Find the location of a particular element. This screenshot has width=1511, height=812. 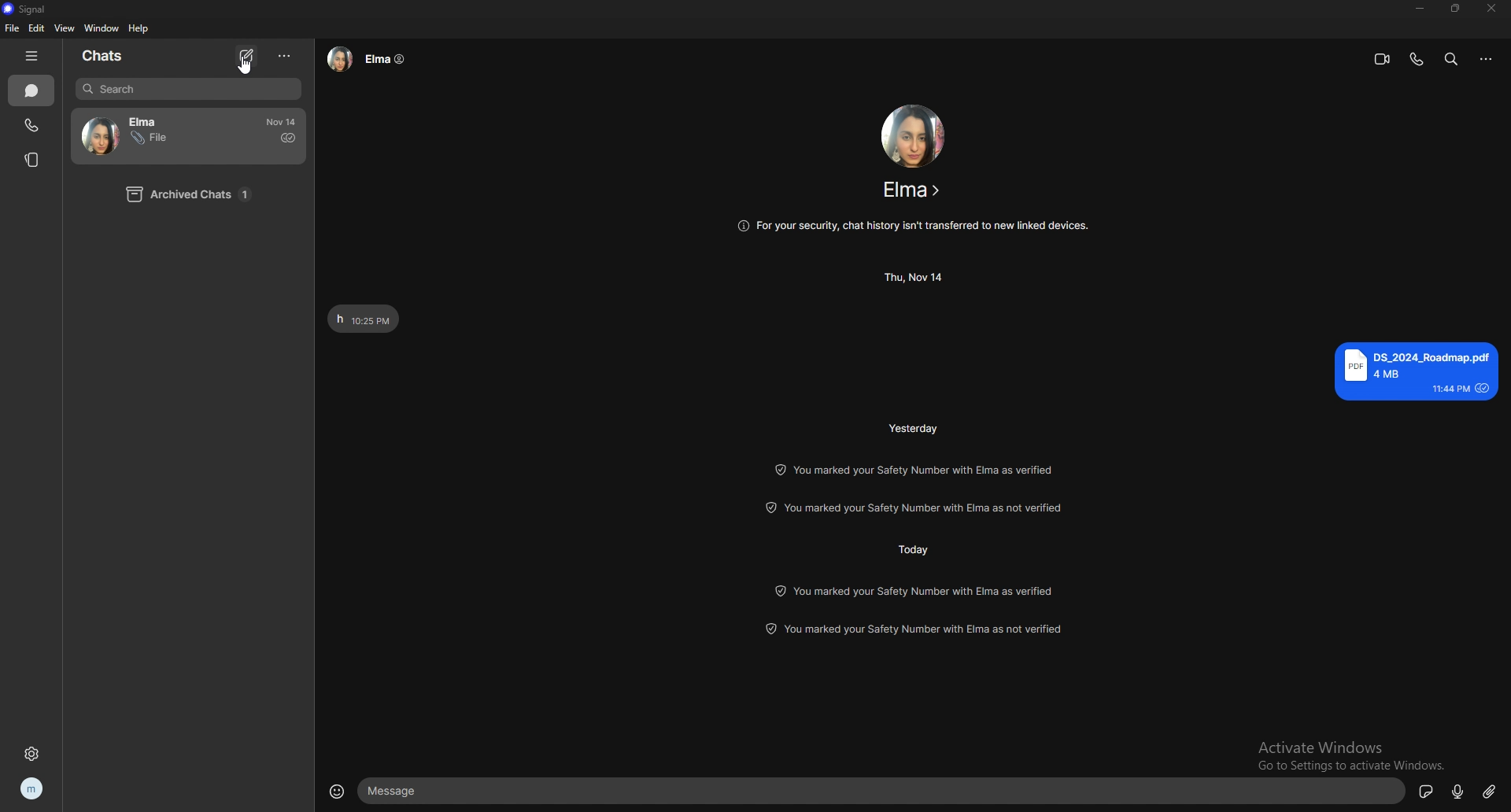

contact info is located at coordinates (913, 190).